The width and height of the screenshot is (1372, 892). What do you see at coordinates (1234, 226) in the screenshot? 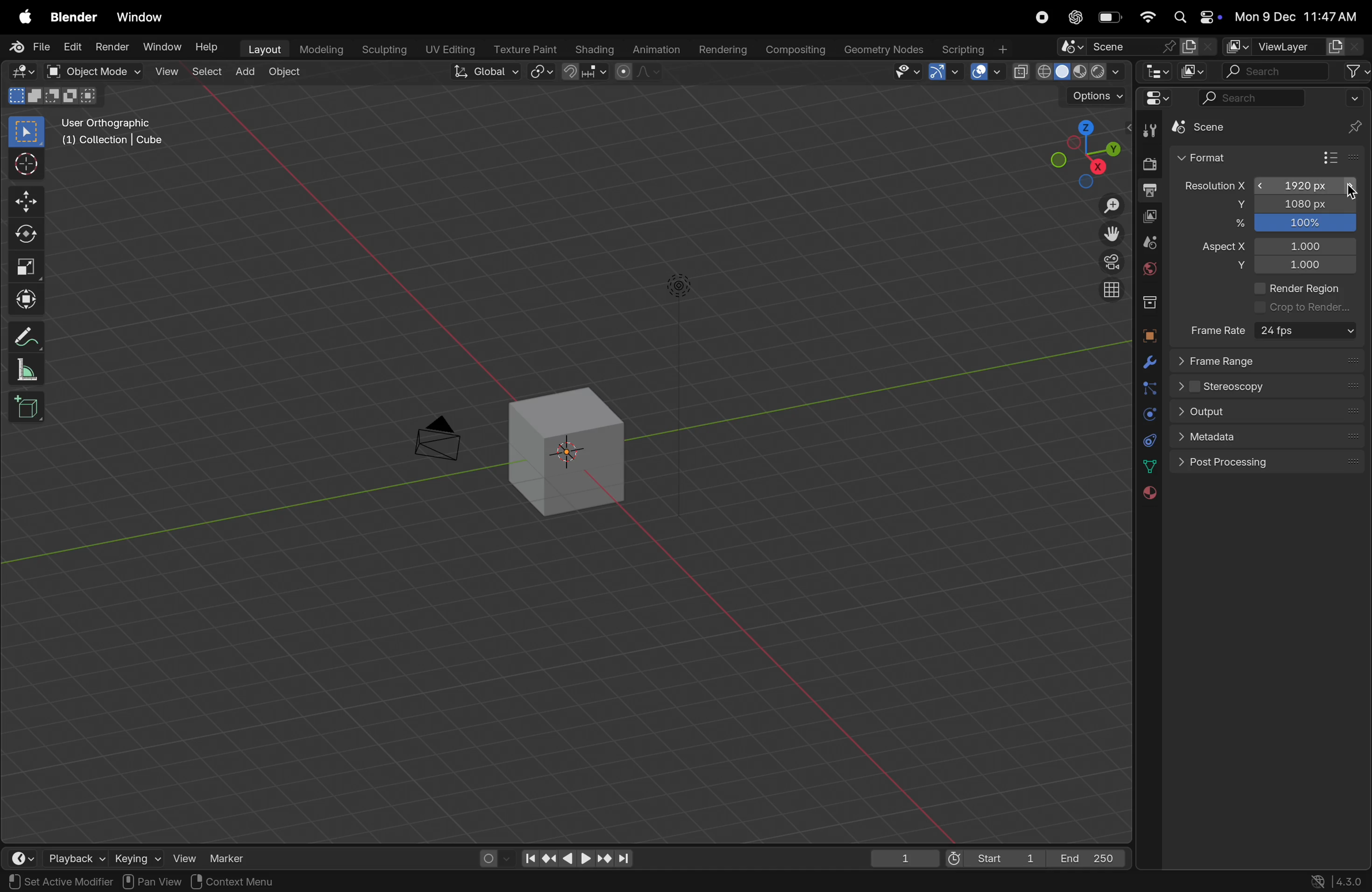
I see `%` at bounding box center [1234, 226].